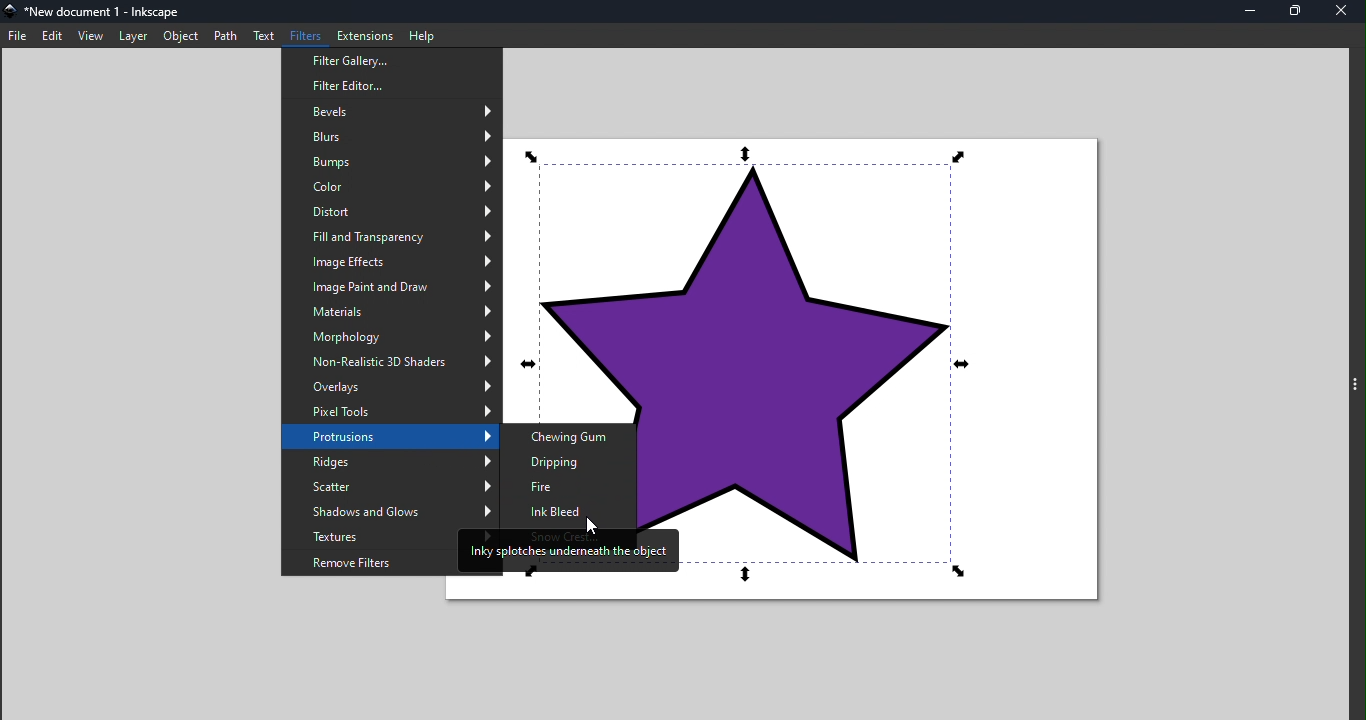 The height and width of the screenshot is (720, 1366). Describe the element at coordinates (423, 33) in the screenshot. I see `Help` at that location.